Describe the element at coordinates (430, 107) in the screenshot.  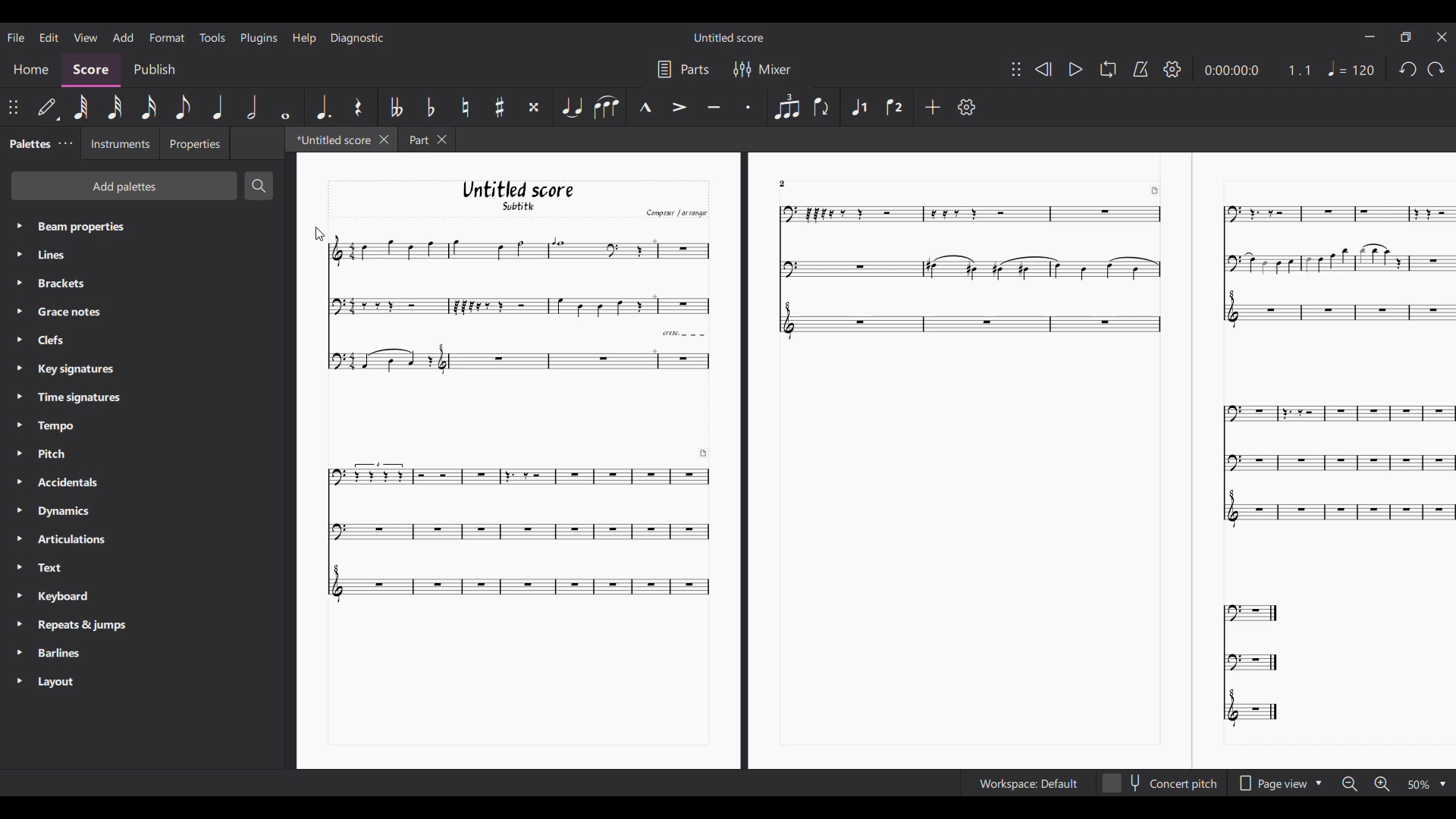
I see `Toggle flat` at that location.